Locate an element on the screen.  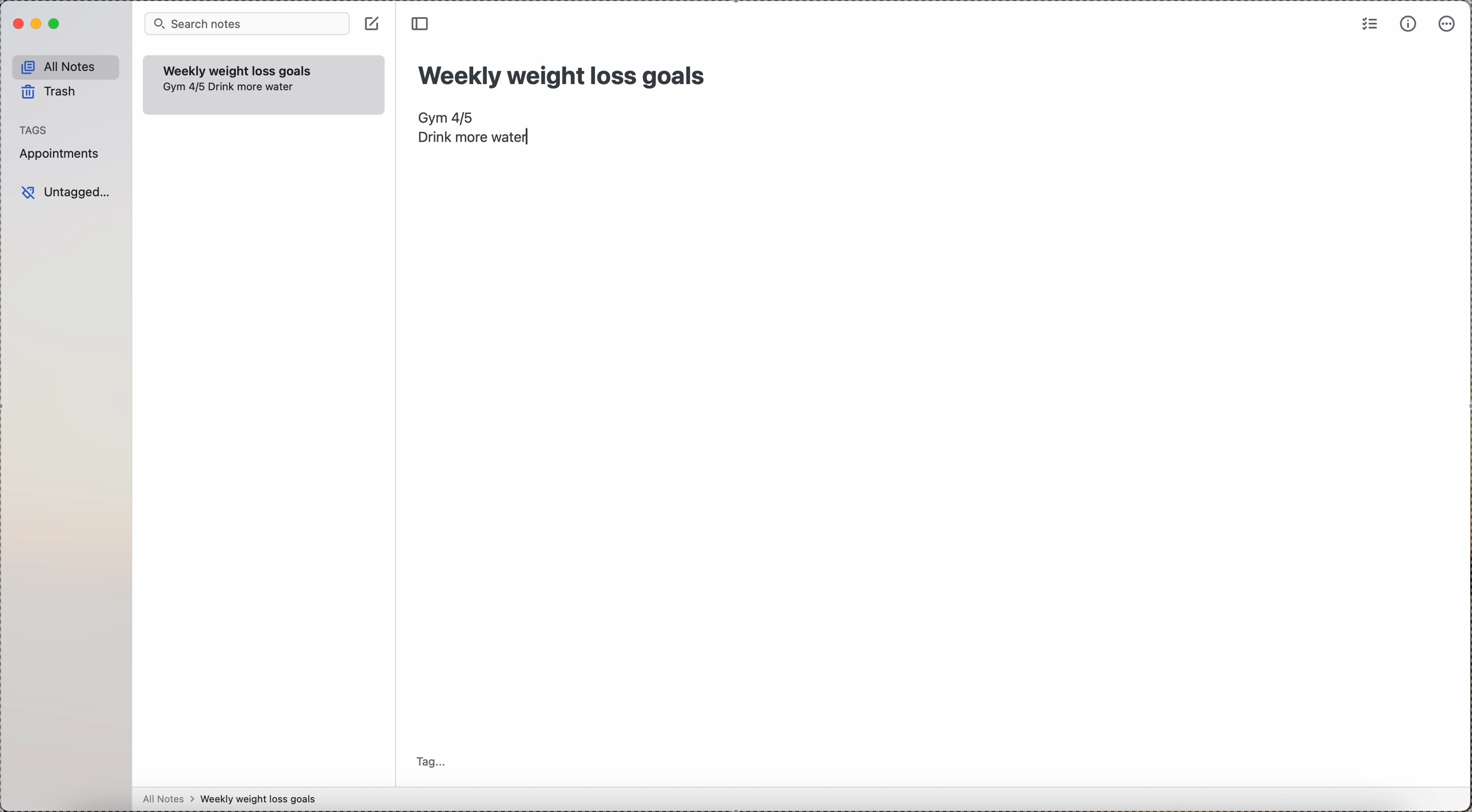
trash is located at coordinates (49, 91).